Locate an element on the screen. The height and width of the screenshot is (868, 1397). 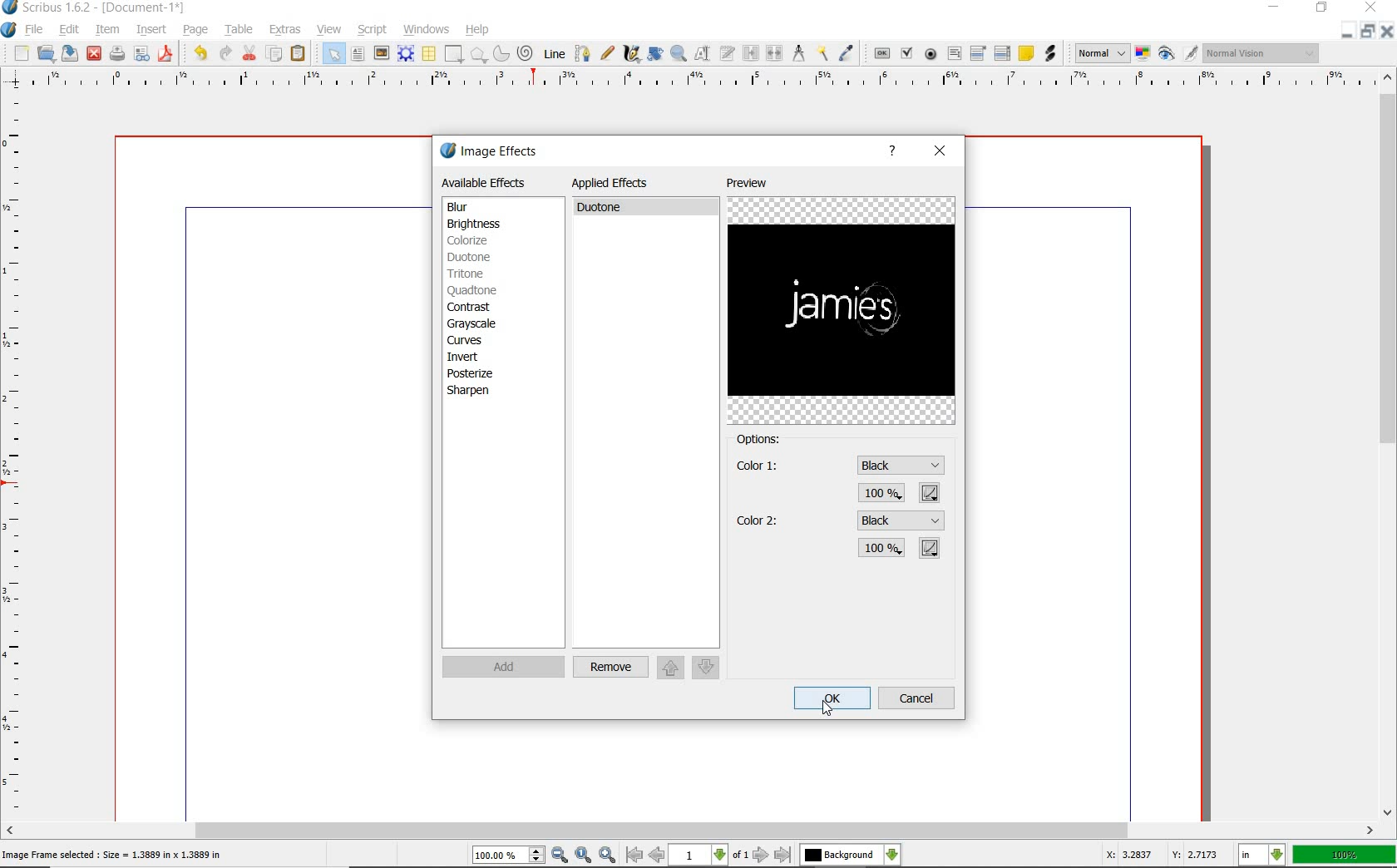
scrollbar is located at coordinates (1389, 445).